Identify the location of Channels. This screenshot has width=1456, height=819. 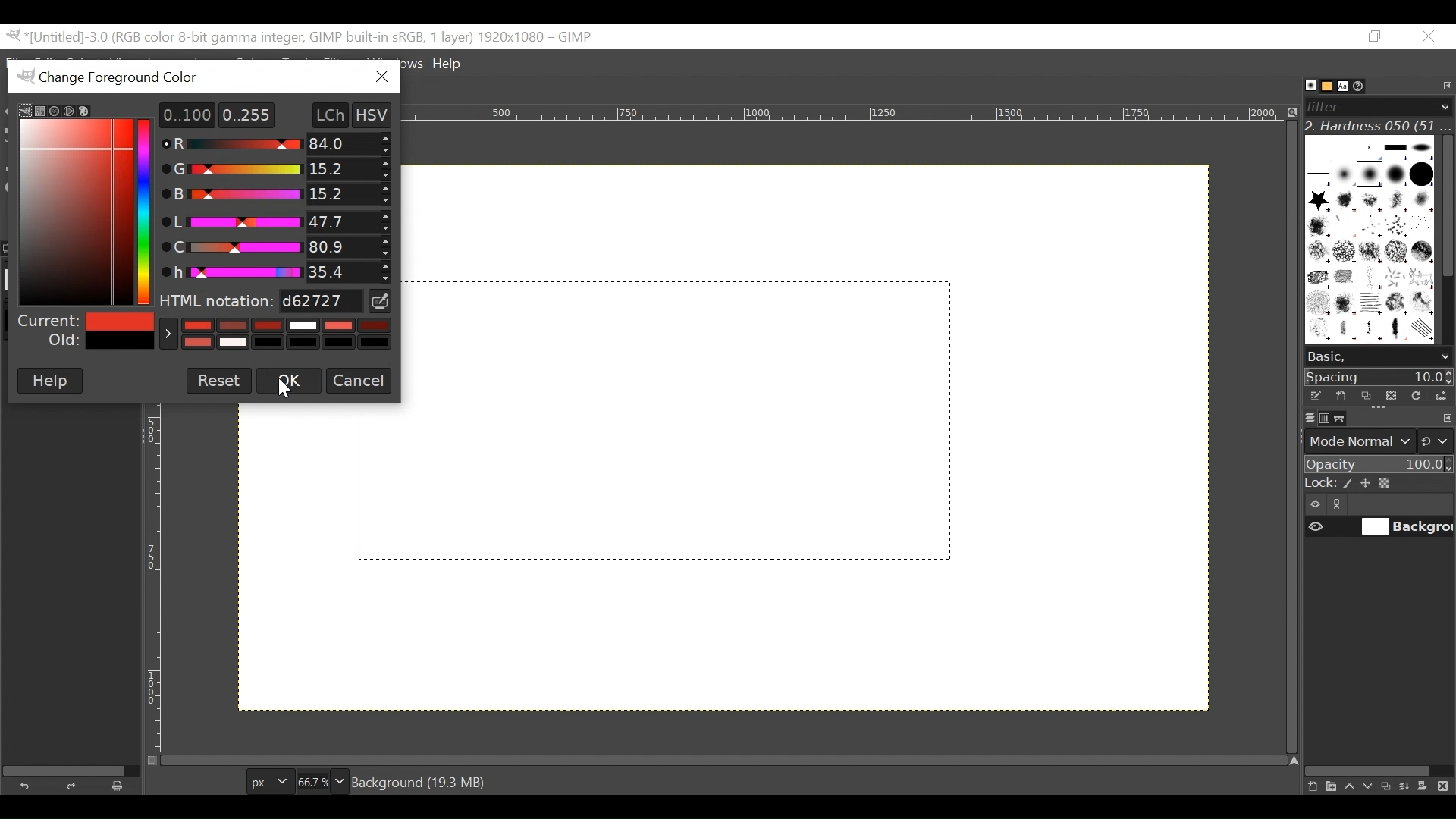
(1321, 417).